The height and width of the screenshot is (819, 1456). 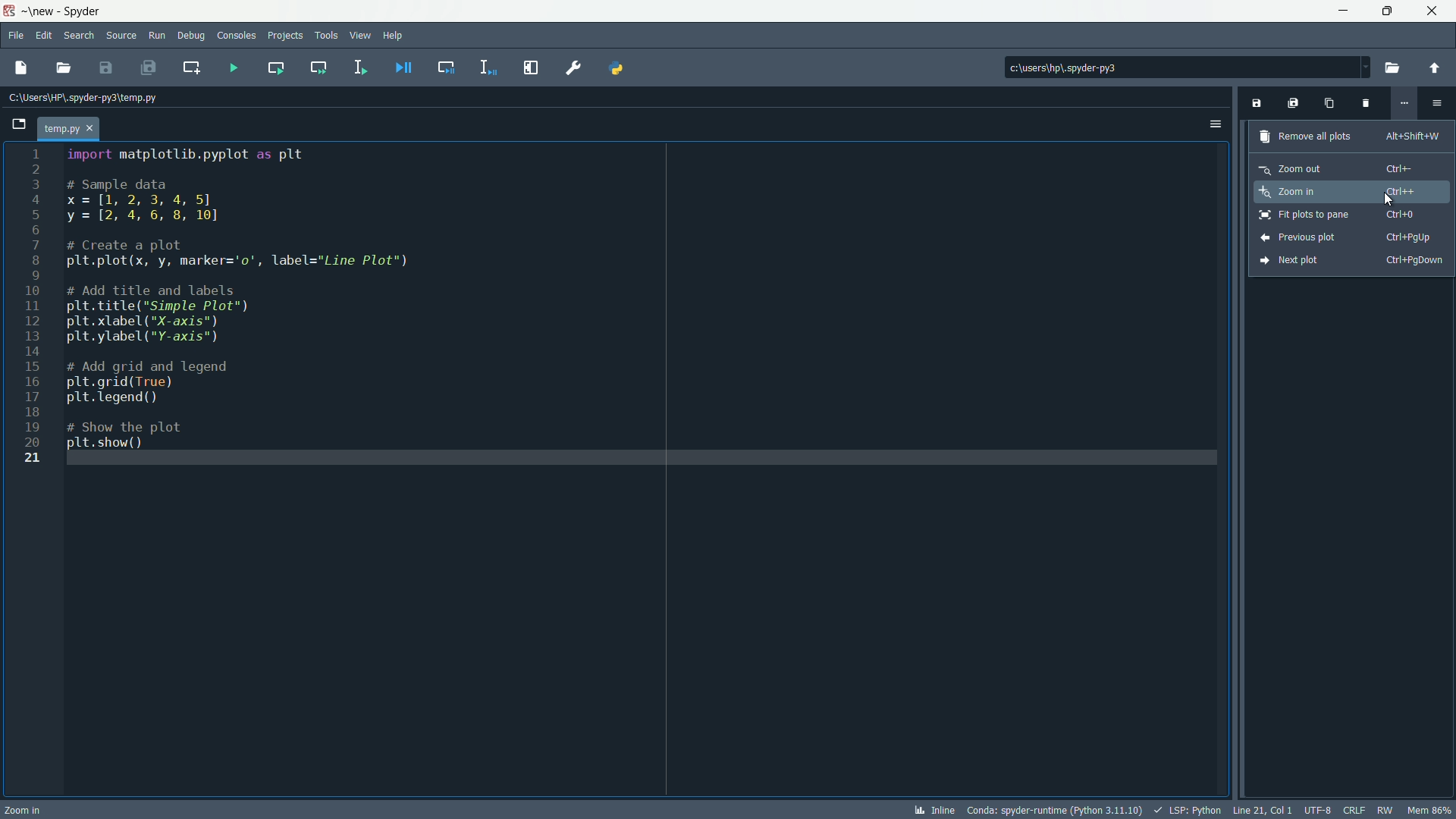 I want to click on edit menu, so click(x=45, y=36).